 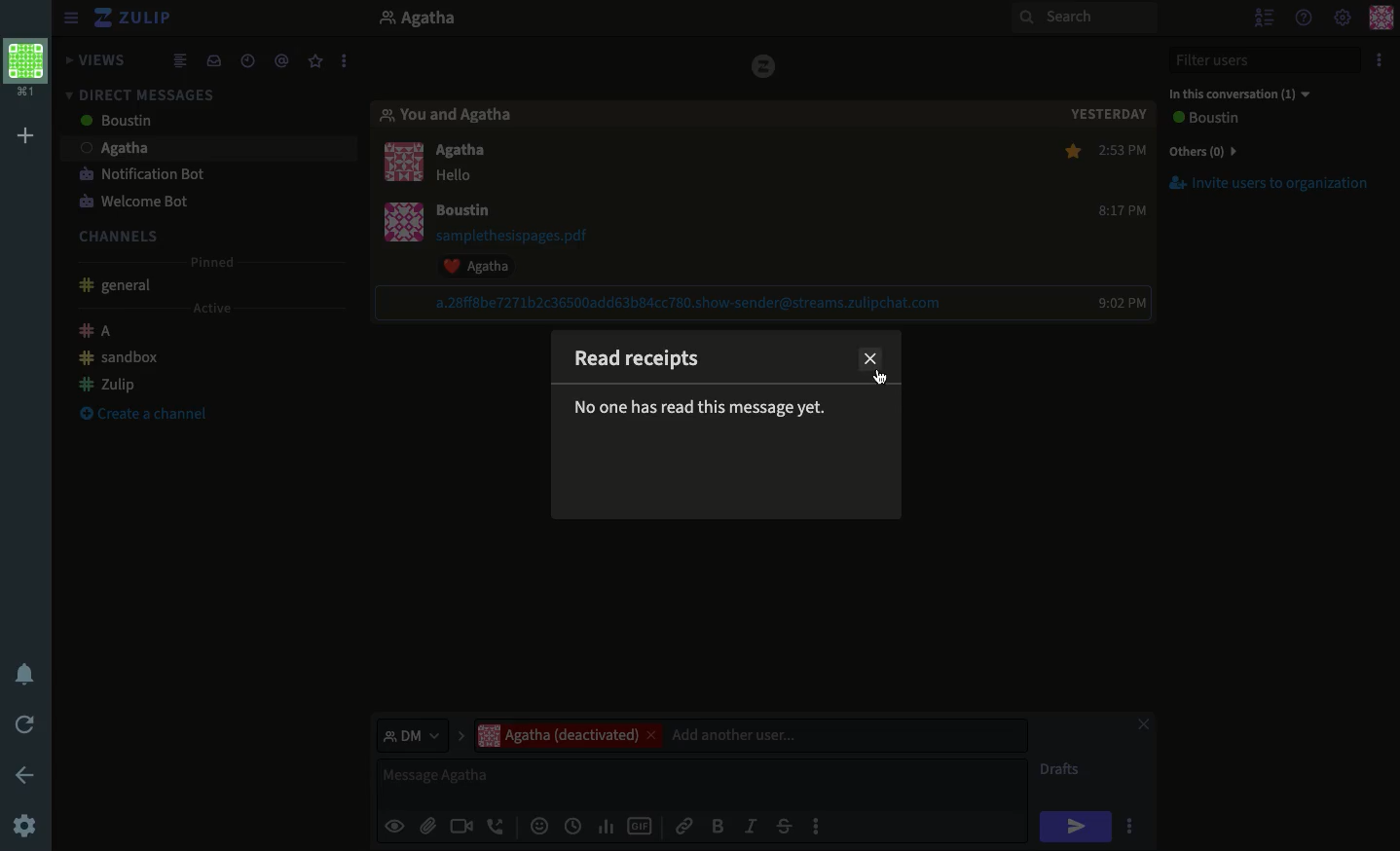 I want to click on Video, so click(x=460, y=828).